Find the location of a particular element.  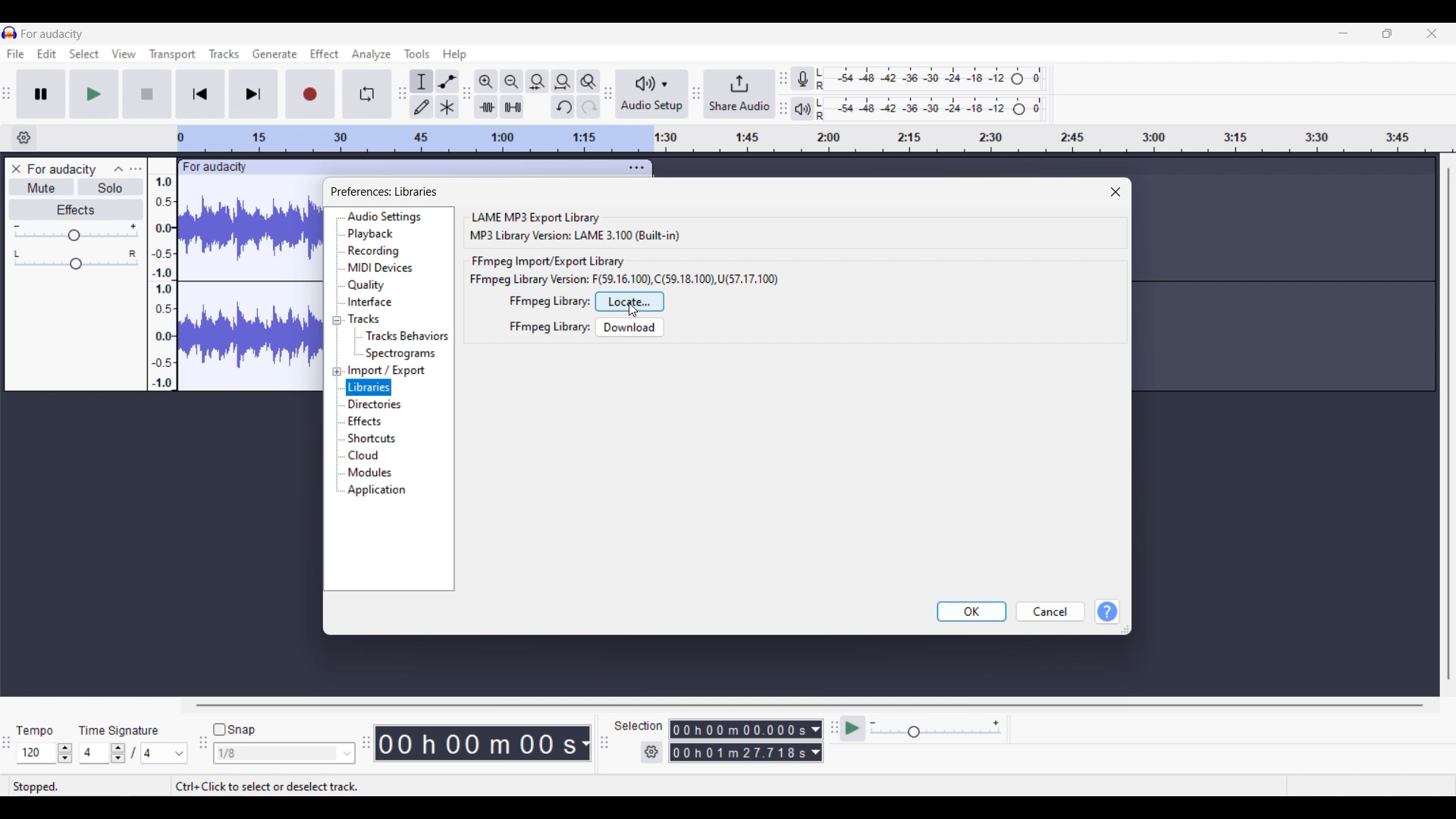

Effects is located at coordinates (76, 209).